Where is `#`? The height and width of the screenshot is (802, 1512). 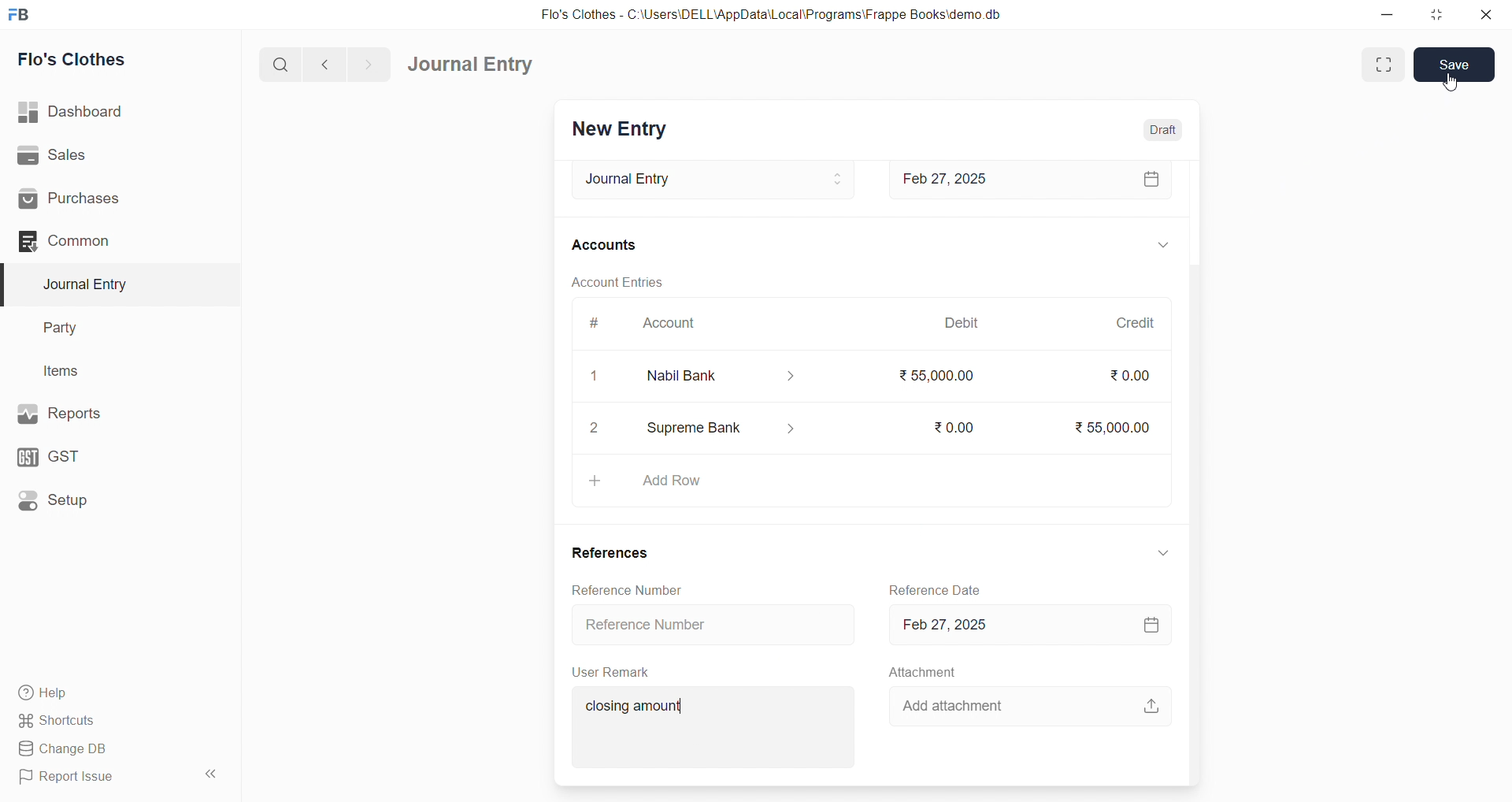 # is located at coordinates (596, 326).